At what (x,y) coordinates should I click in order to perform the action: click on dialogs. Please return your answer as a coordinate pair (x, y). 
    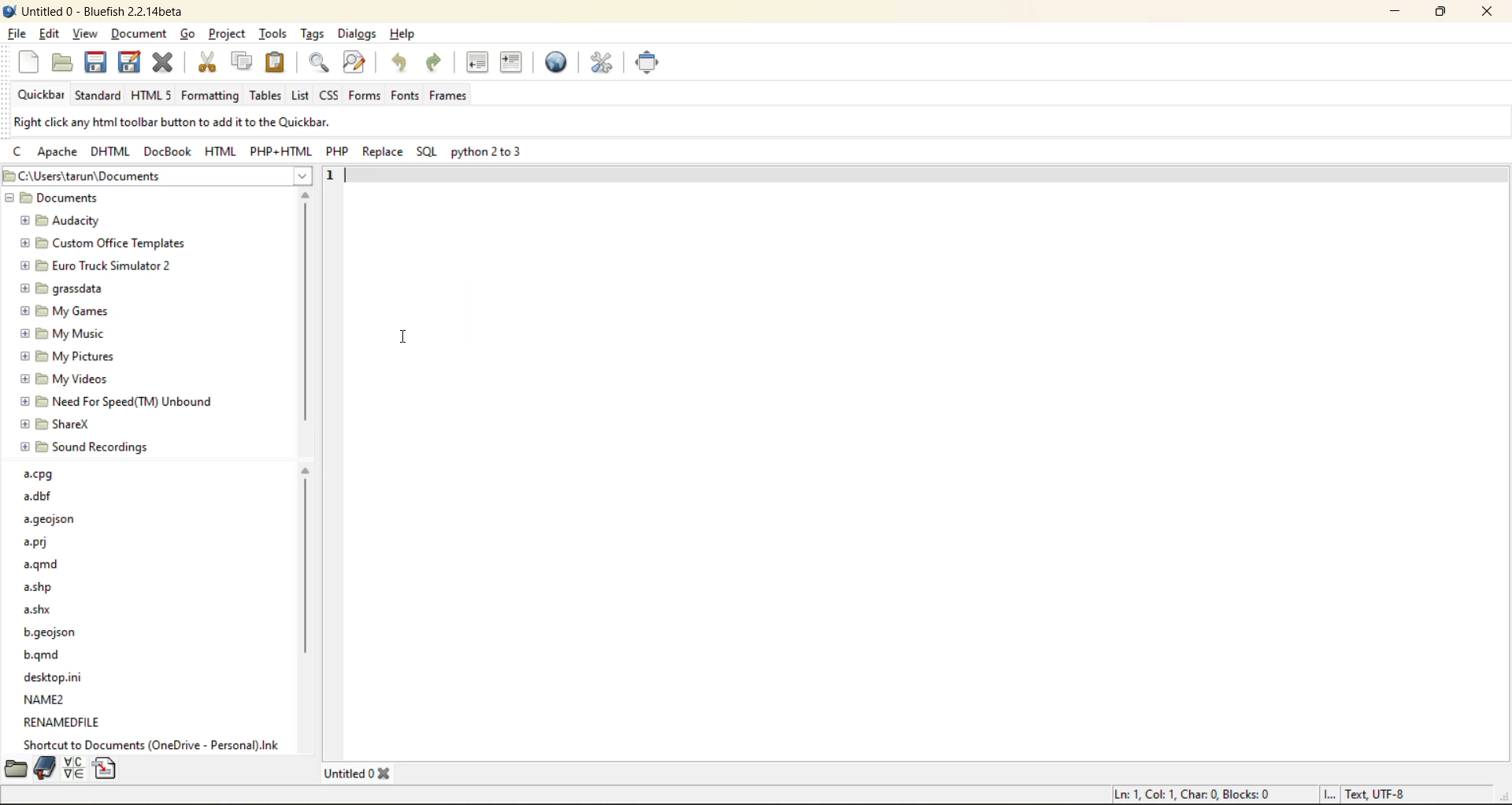
    Looking at the image, I should click on (362, 35).